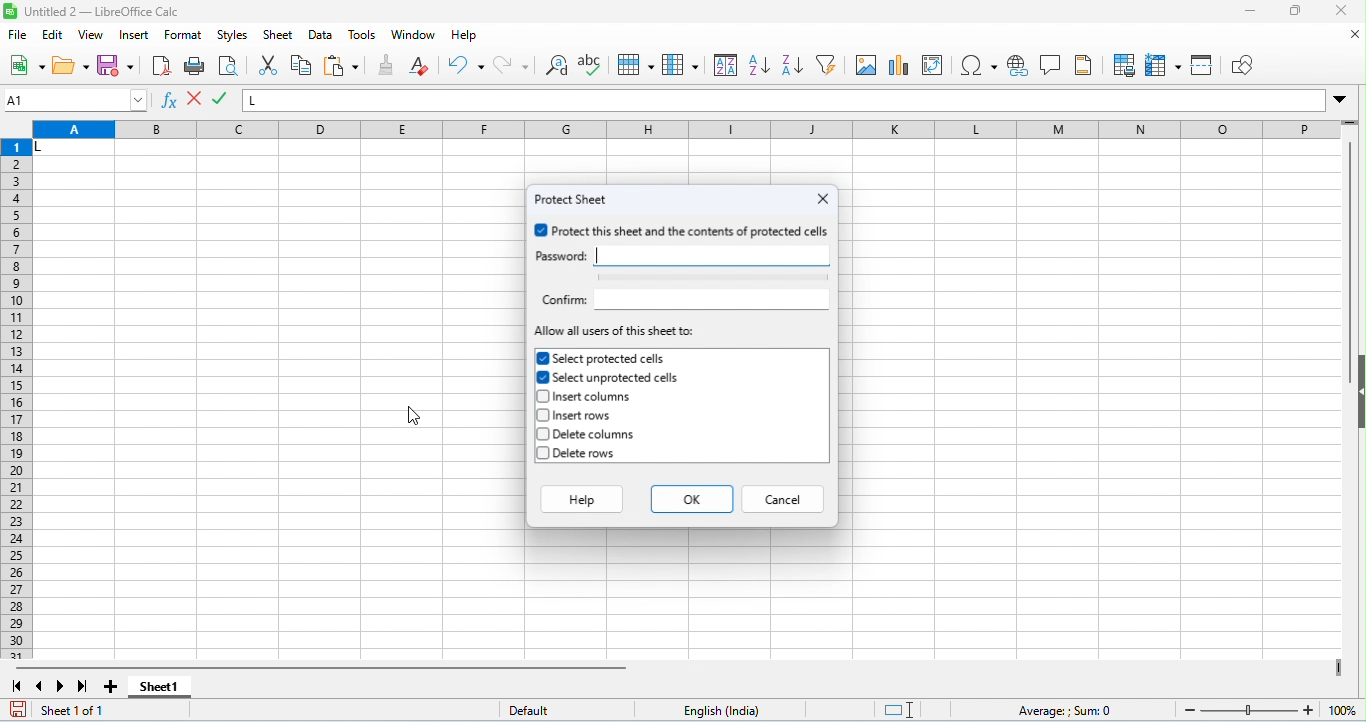 The height and width of the screenshot is (722, 1366). What do you see at coordinates (589, 435) in the screenshot?
I see `delete columns` at bounding box center [589, 435].